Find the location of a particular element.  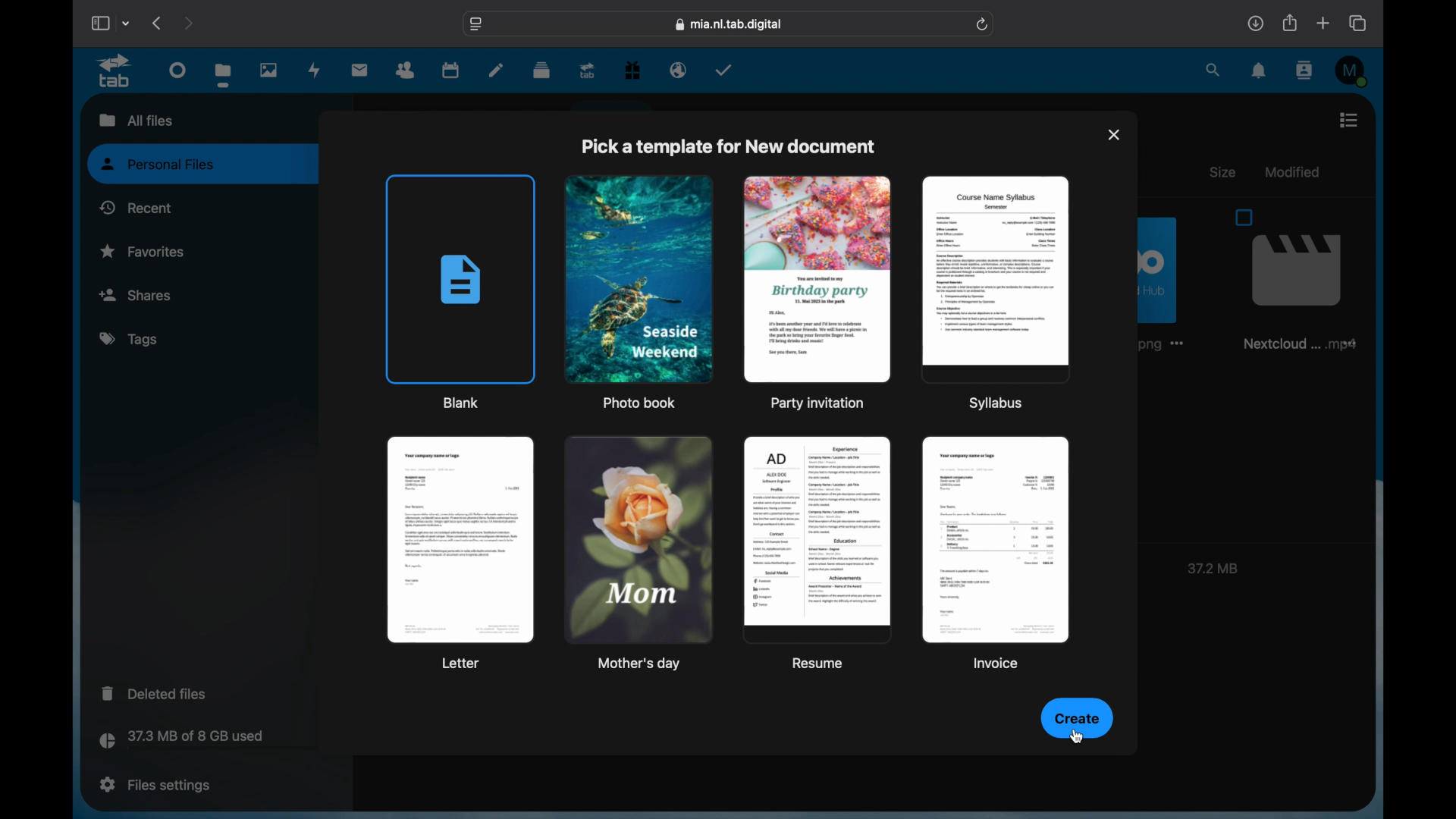

favorites is located at coordinates (143, 250).